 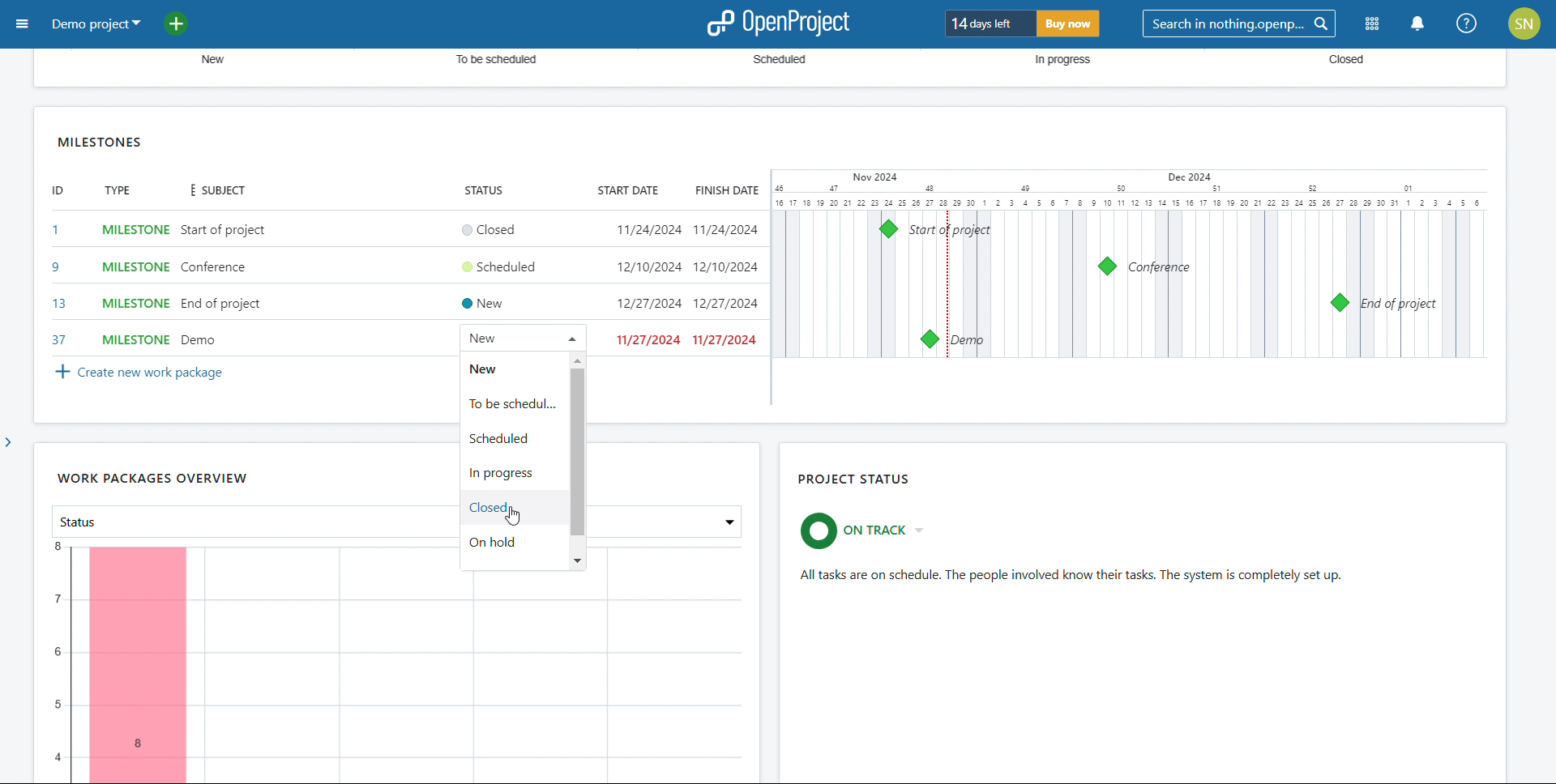 I want to click on demo project selected, so click(x=95, y=23).